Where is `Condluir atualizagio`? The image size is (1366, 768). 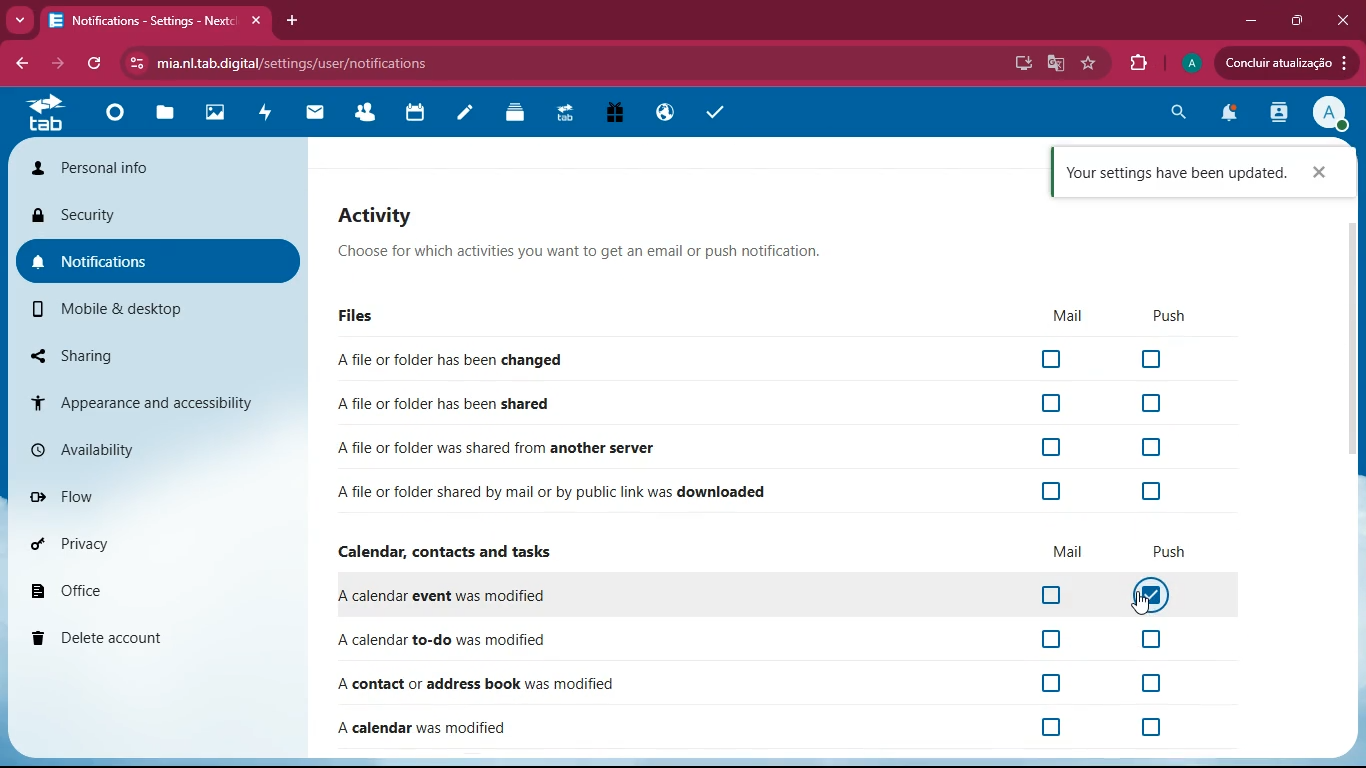 Condluir atualizagio is located at coordinates (1293, 65).